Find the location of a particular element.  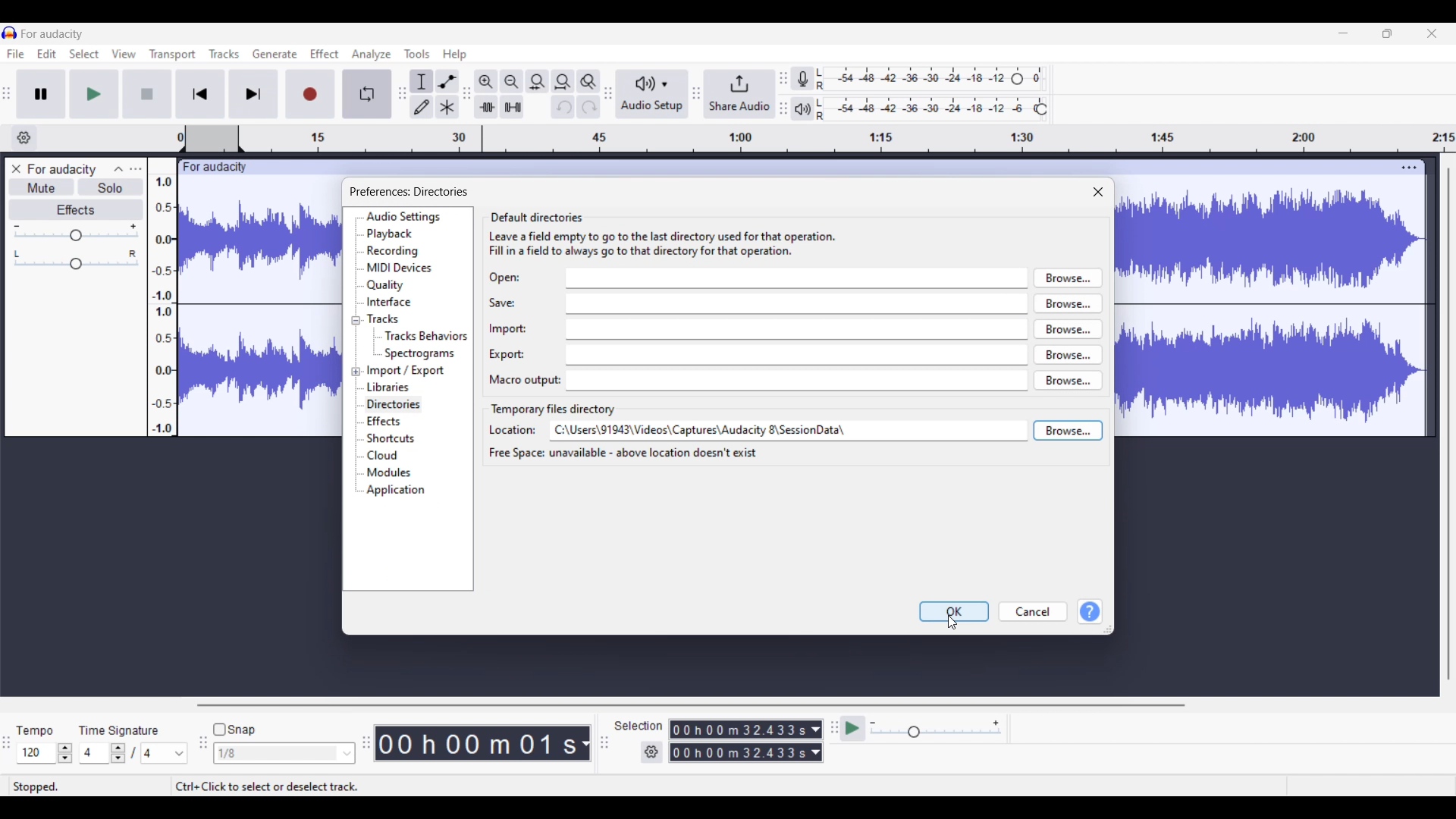

Transport menu is located at coordinates (173, 55).